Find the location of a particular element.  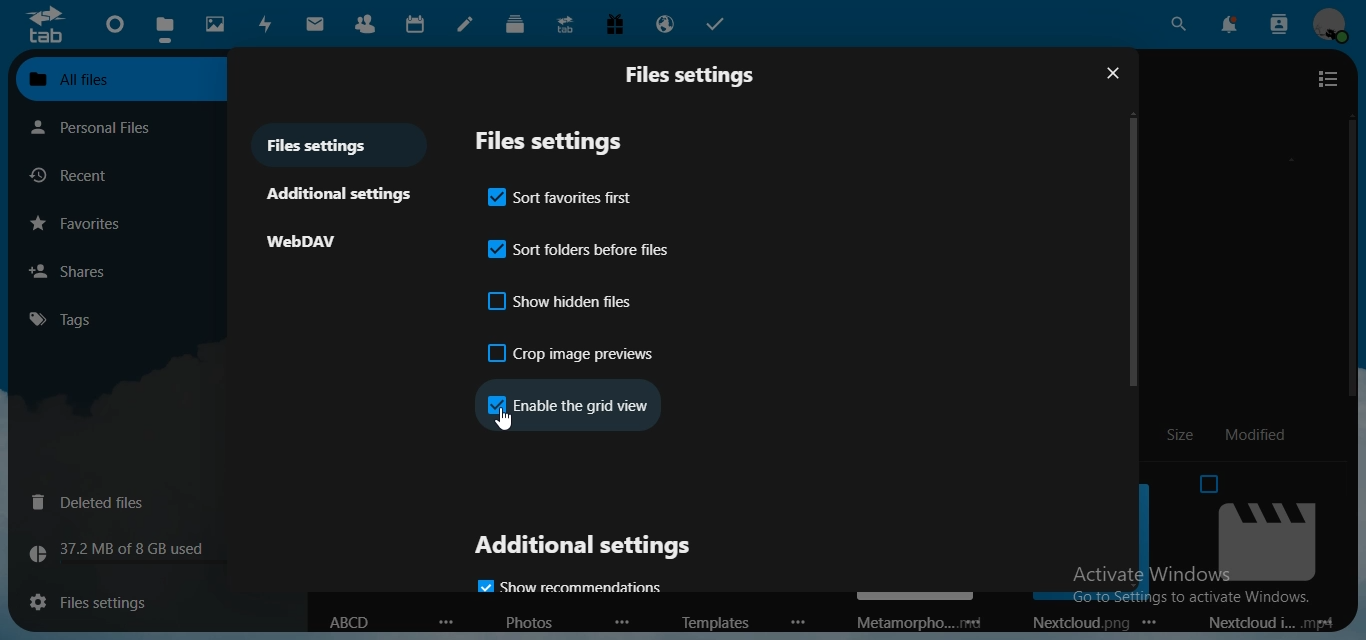

files setttings is located at coordinates (563, 141).